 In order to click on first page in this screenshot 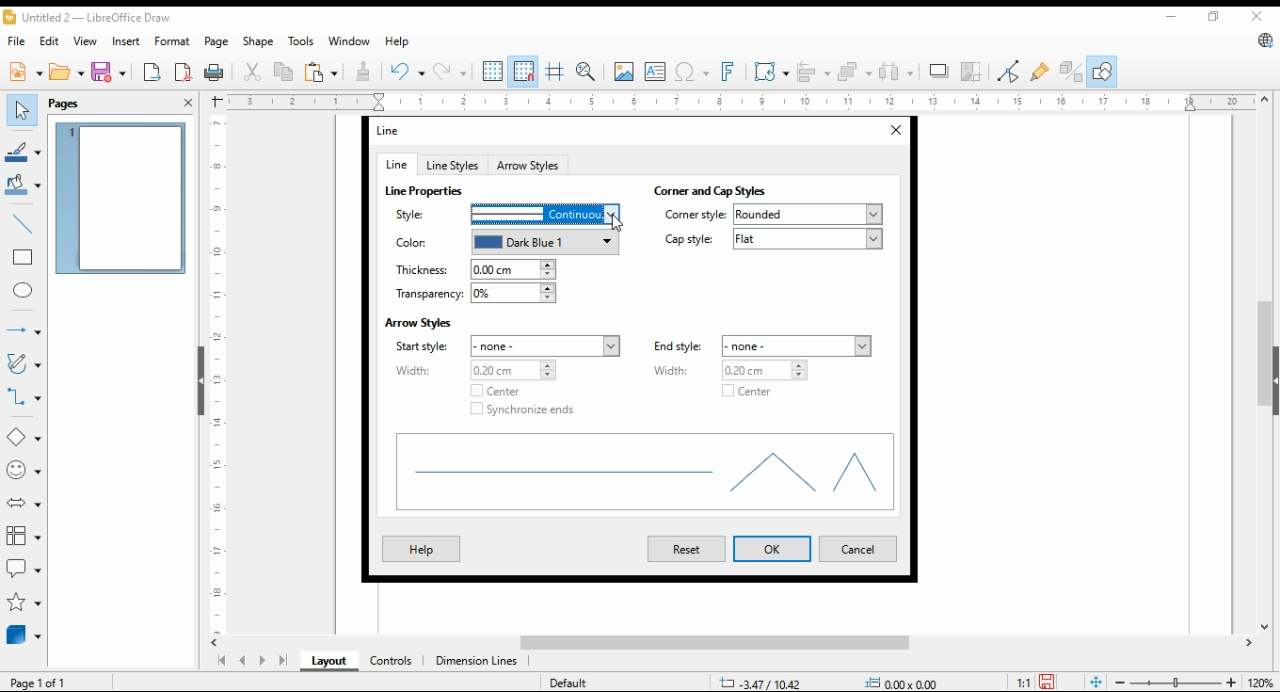, I will do `click(220, 661)`.